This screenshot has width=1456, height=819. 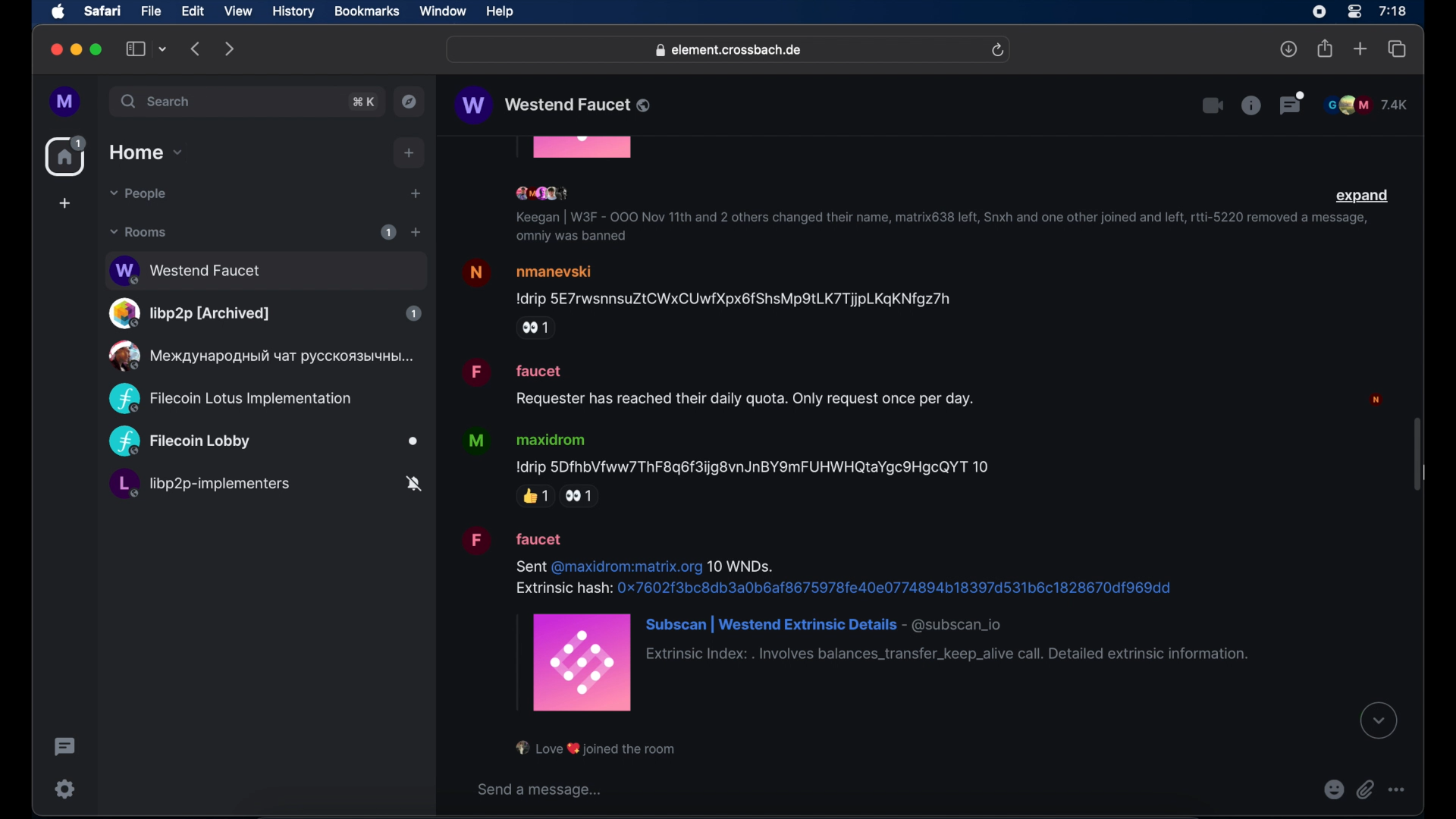 What do you see at coordinates (55, 50) in the screenshot?
I see `close` at bounding box center [55, 50].